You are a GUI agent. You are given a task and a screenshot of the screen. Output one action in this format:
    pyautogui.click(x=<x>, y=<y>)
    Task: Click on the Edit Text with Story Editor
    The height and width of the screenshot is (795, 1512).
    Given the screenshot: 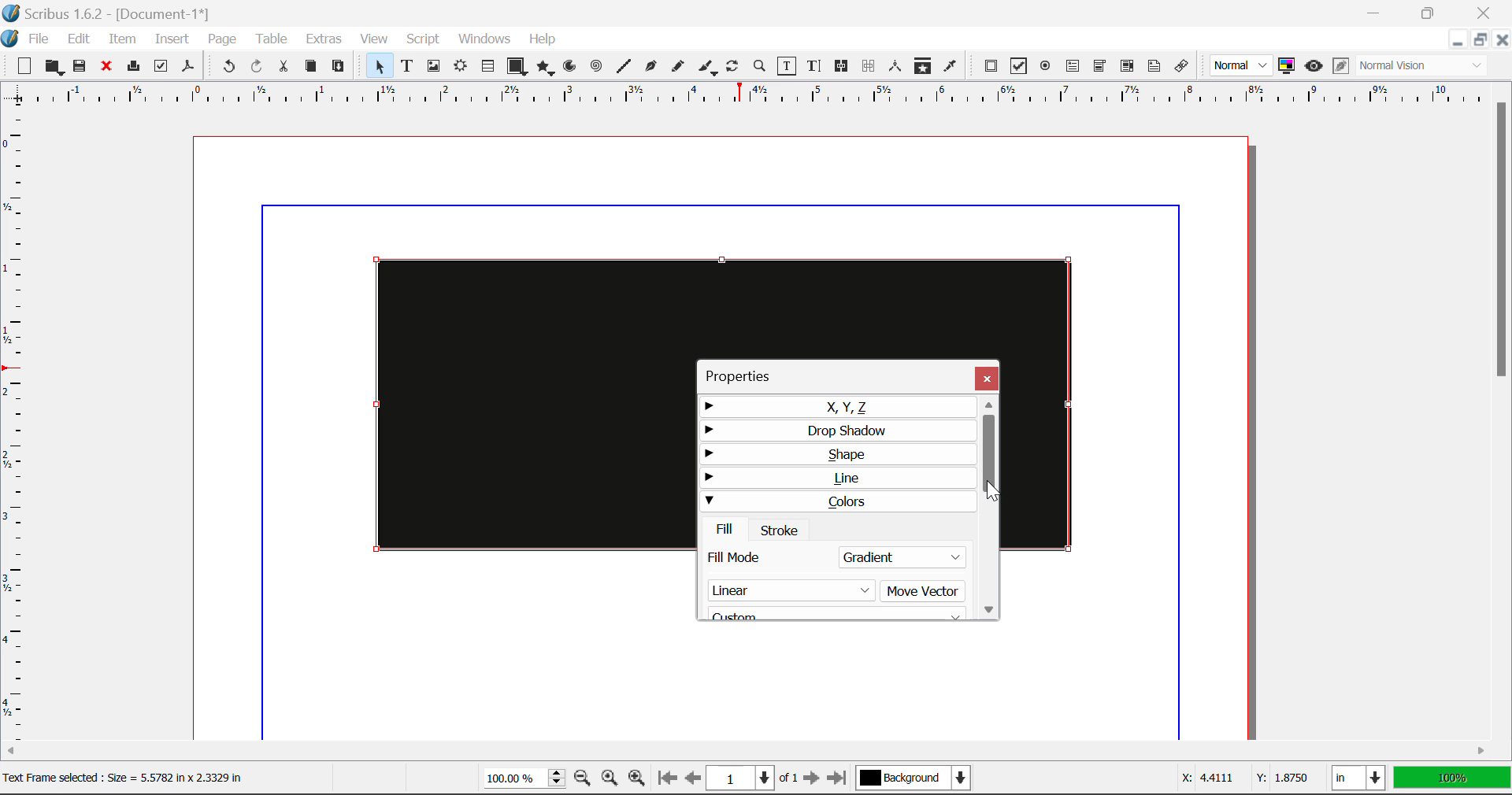 What is the action you would take?
    pyautogui.click(x=817, y=66)
    